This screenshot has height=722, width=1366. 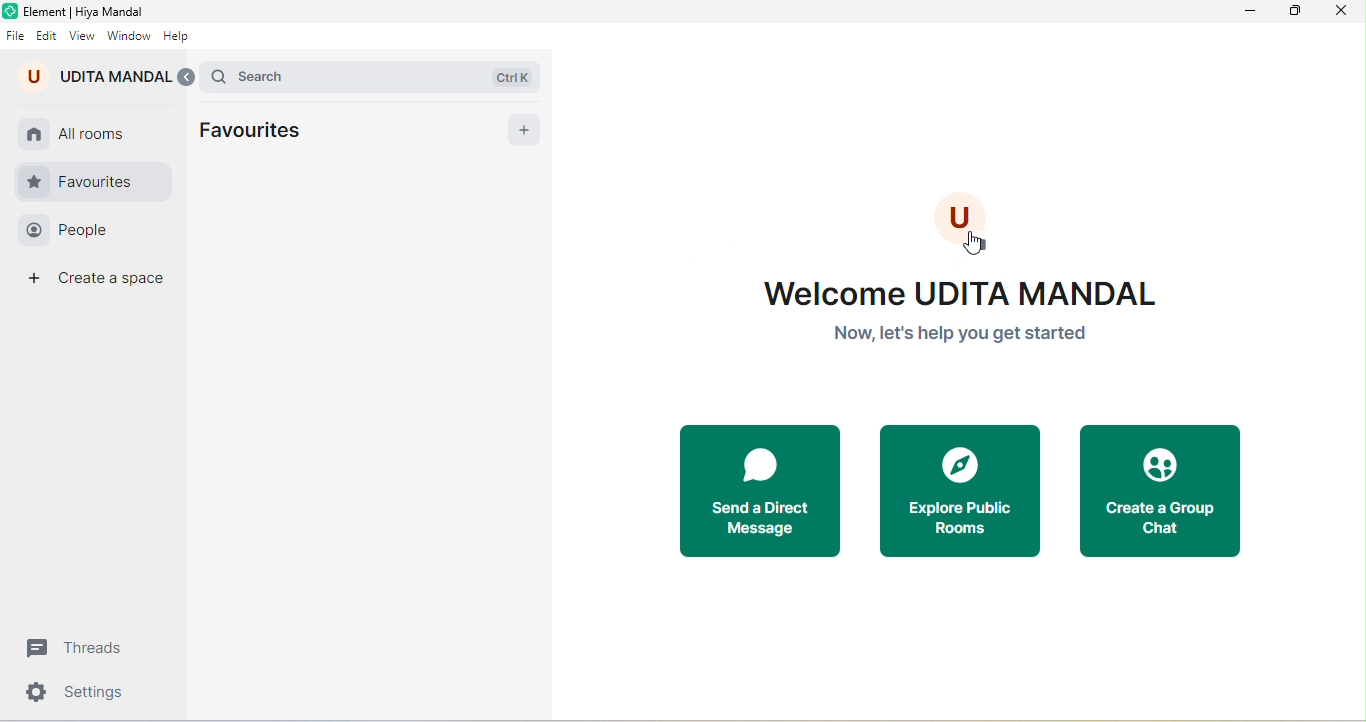 What do you see at coordinates (1253, 13) in the screenshot?
I see `minimize` at bounding box center [1253, 13].